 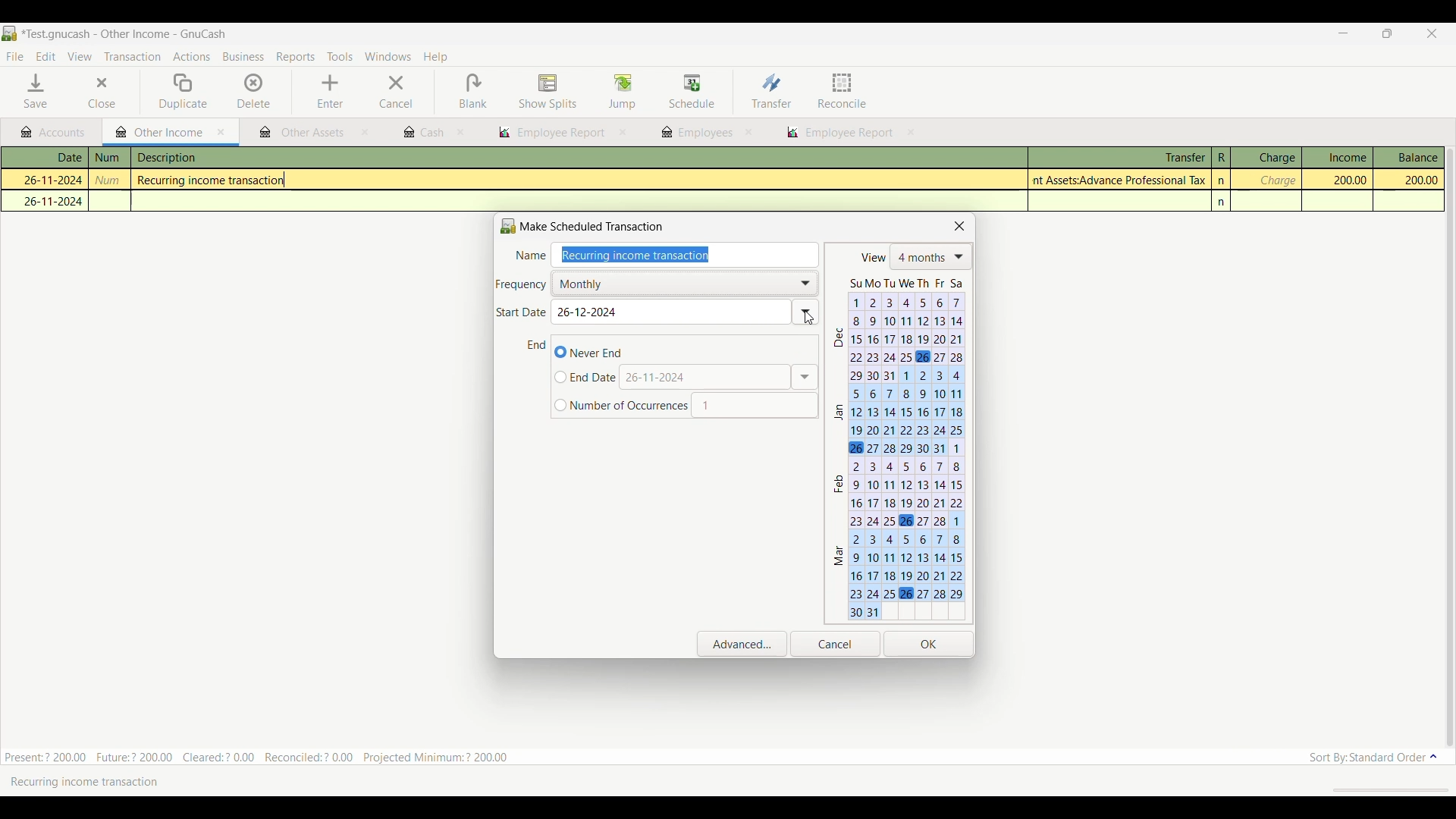 What do you see at coordinates (45, 57) in the screenshot?
I see `Edit menu` at bounding box center [45, 57].